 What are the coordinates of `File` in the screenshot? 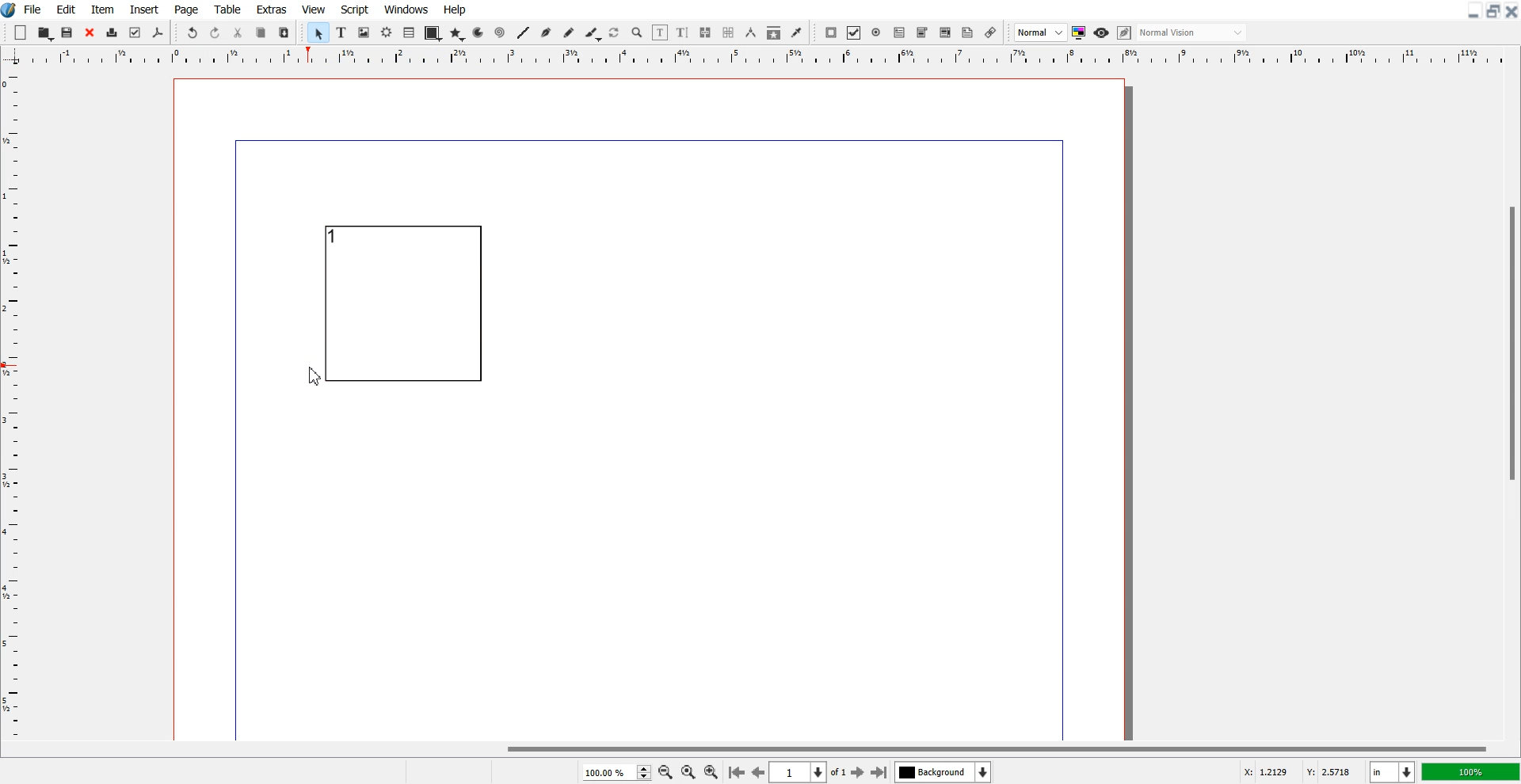 It's located at (34, 9).